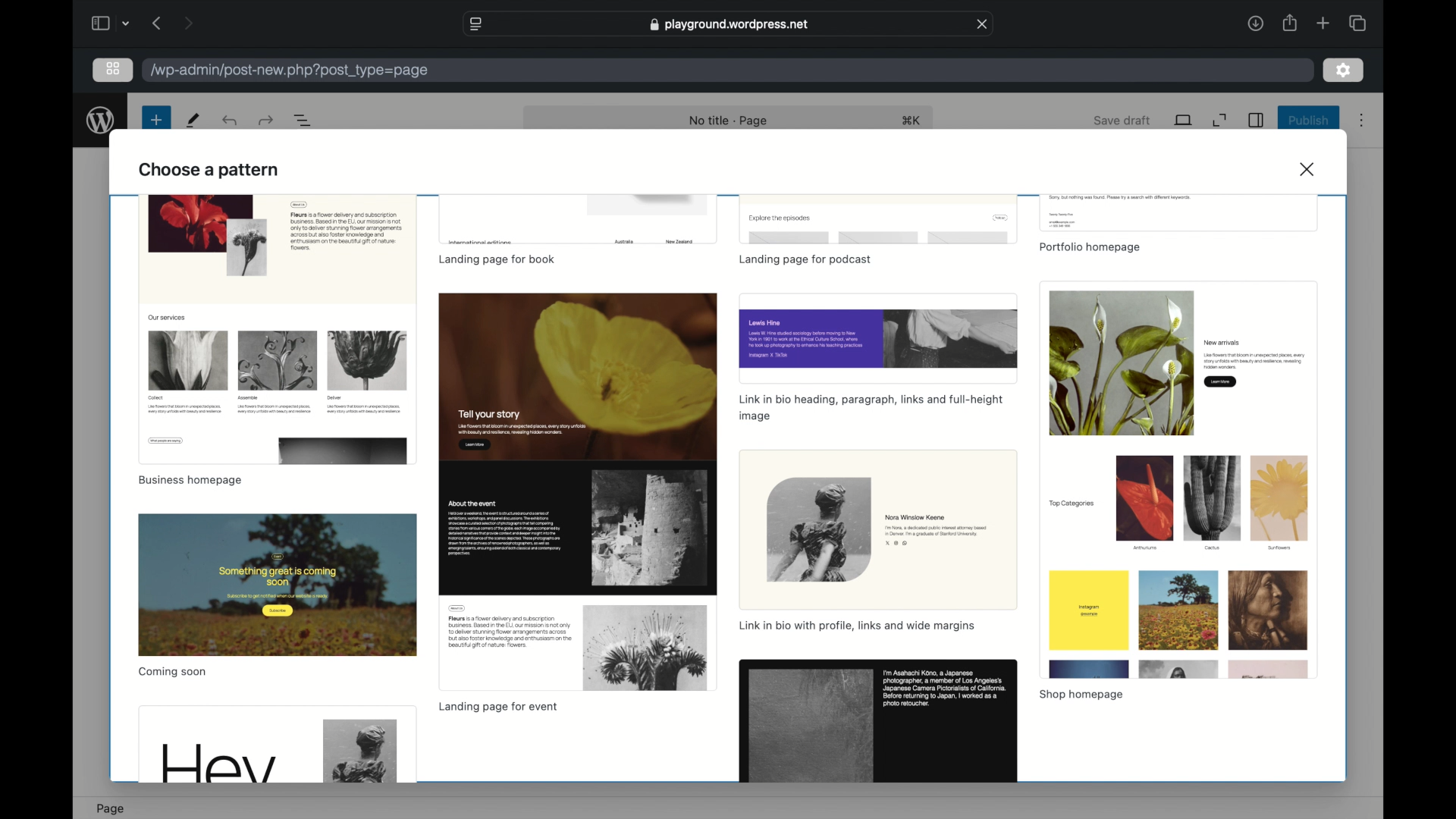 The height and width of the screenshot is (819, 1456). Describe the element at coordinates (1179, 212) in the screenshot. I see `preview` at that location.